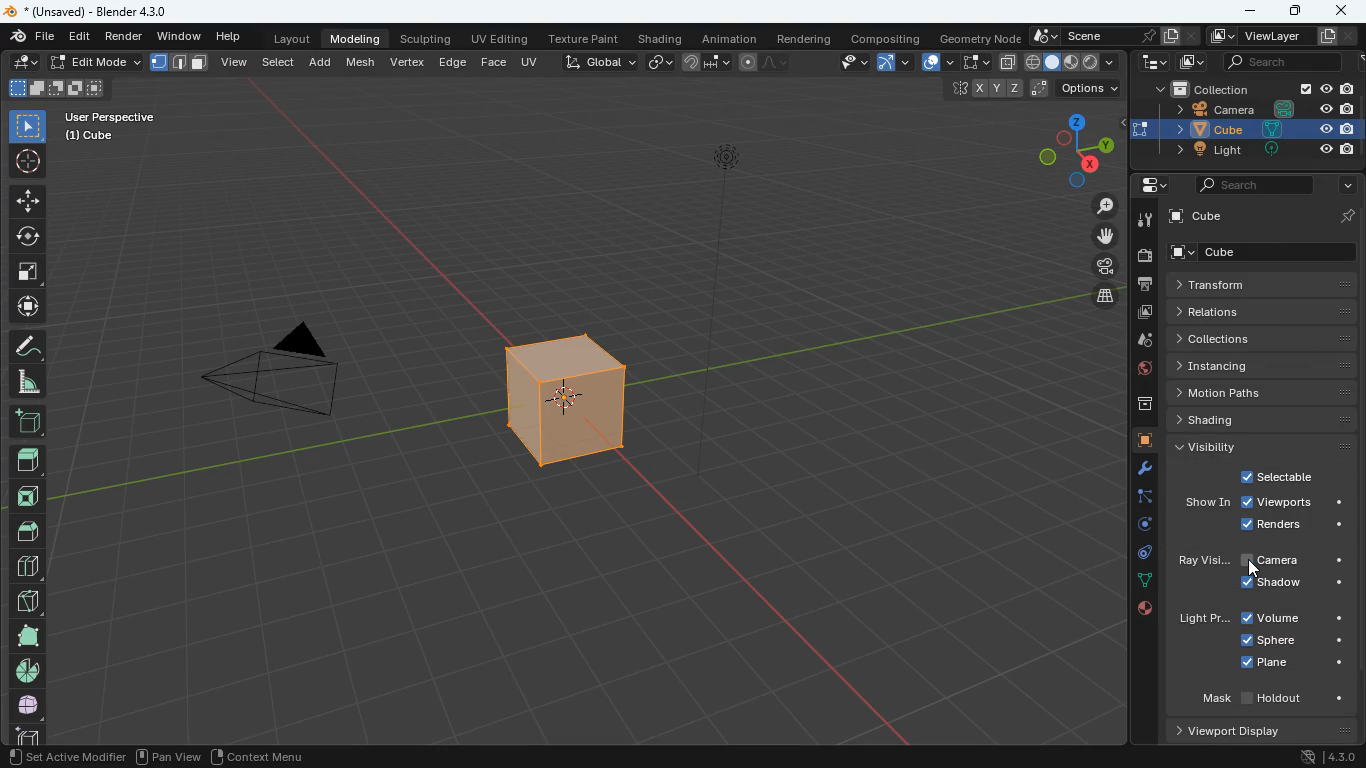 Image resolution: width=1366 pixels, height=768 pixels. I want to click on division, so click(28, 566).